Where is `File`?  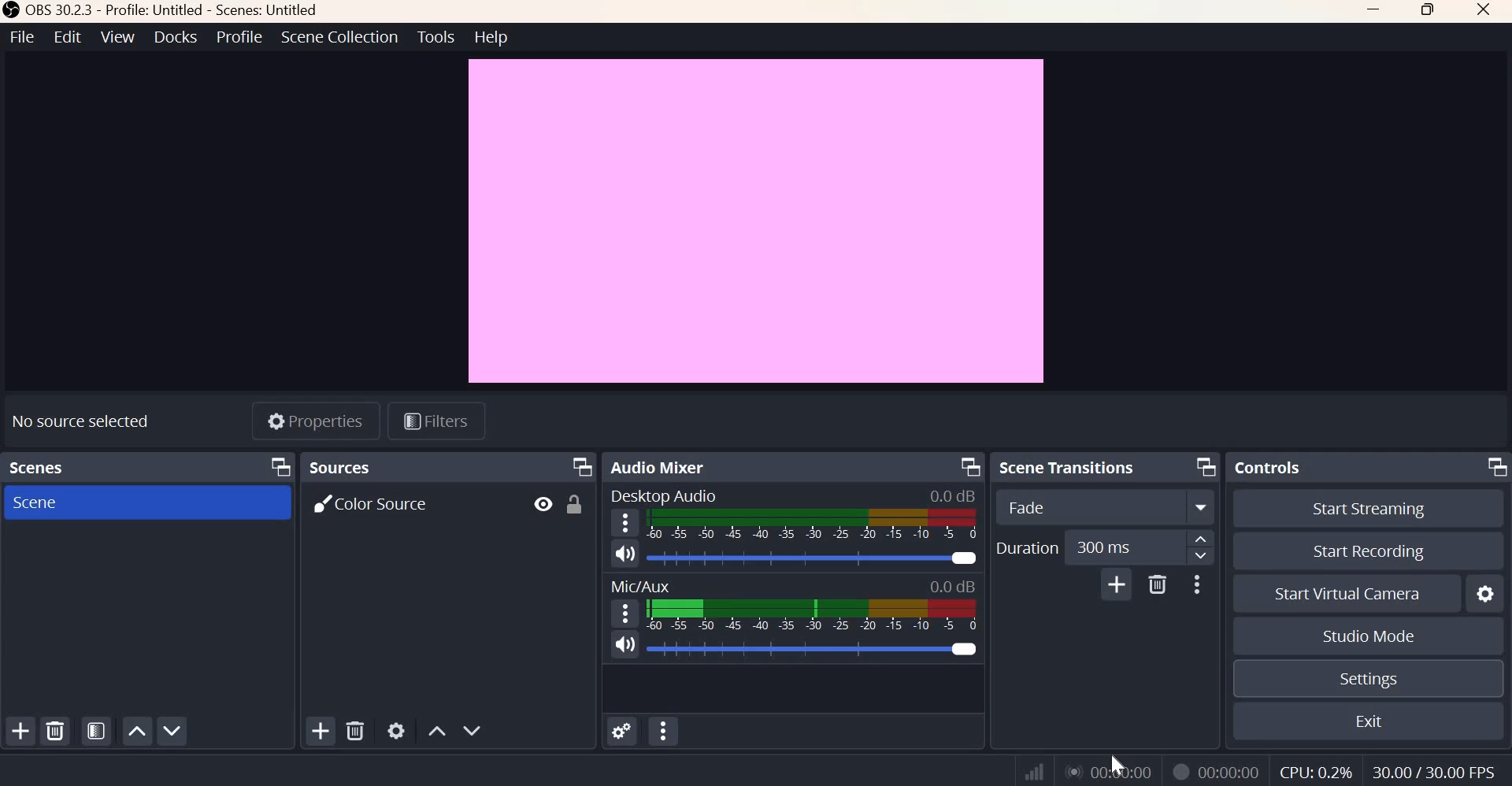
File is located at coordinates (20, 37).